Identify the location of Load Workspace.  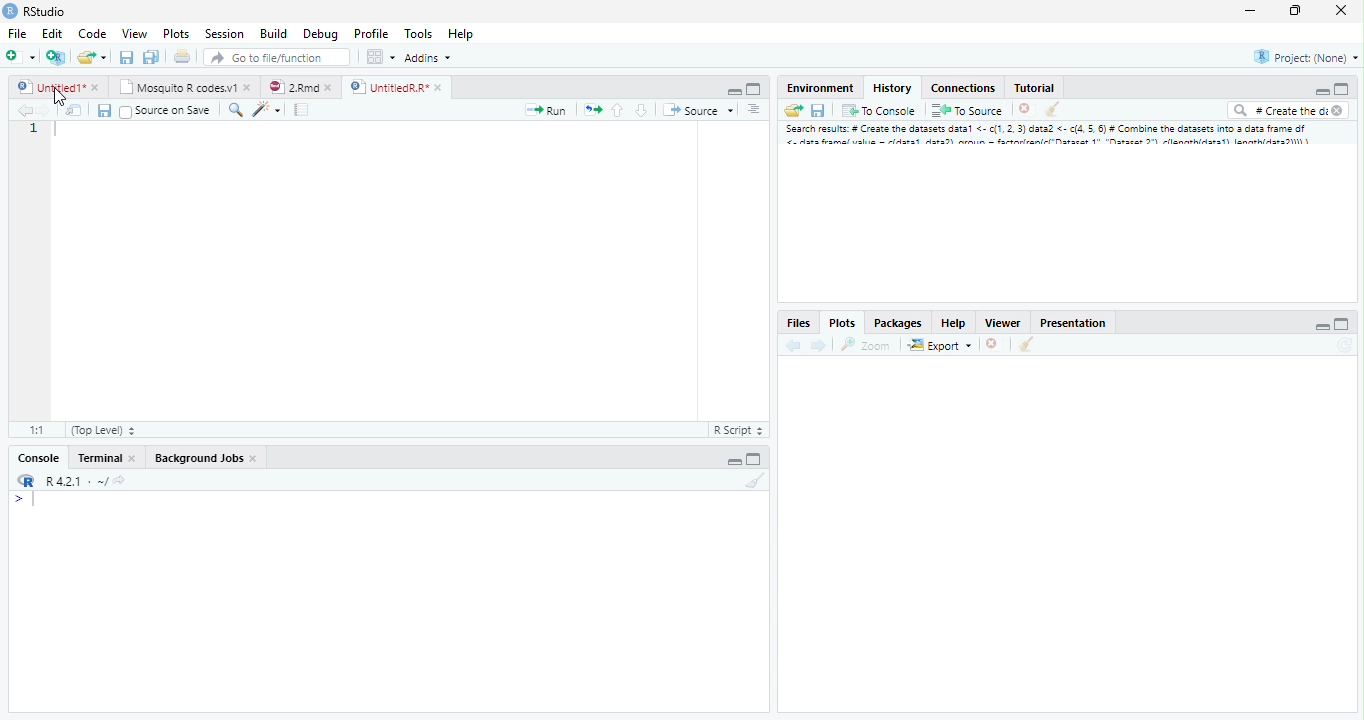
(795, 113).